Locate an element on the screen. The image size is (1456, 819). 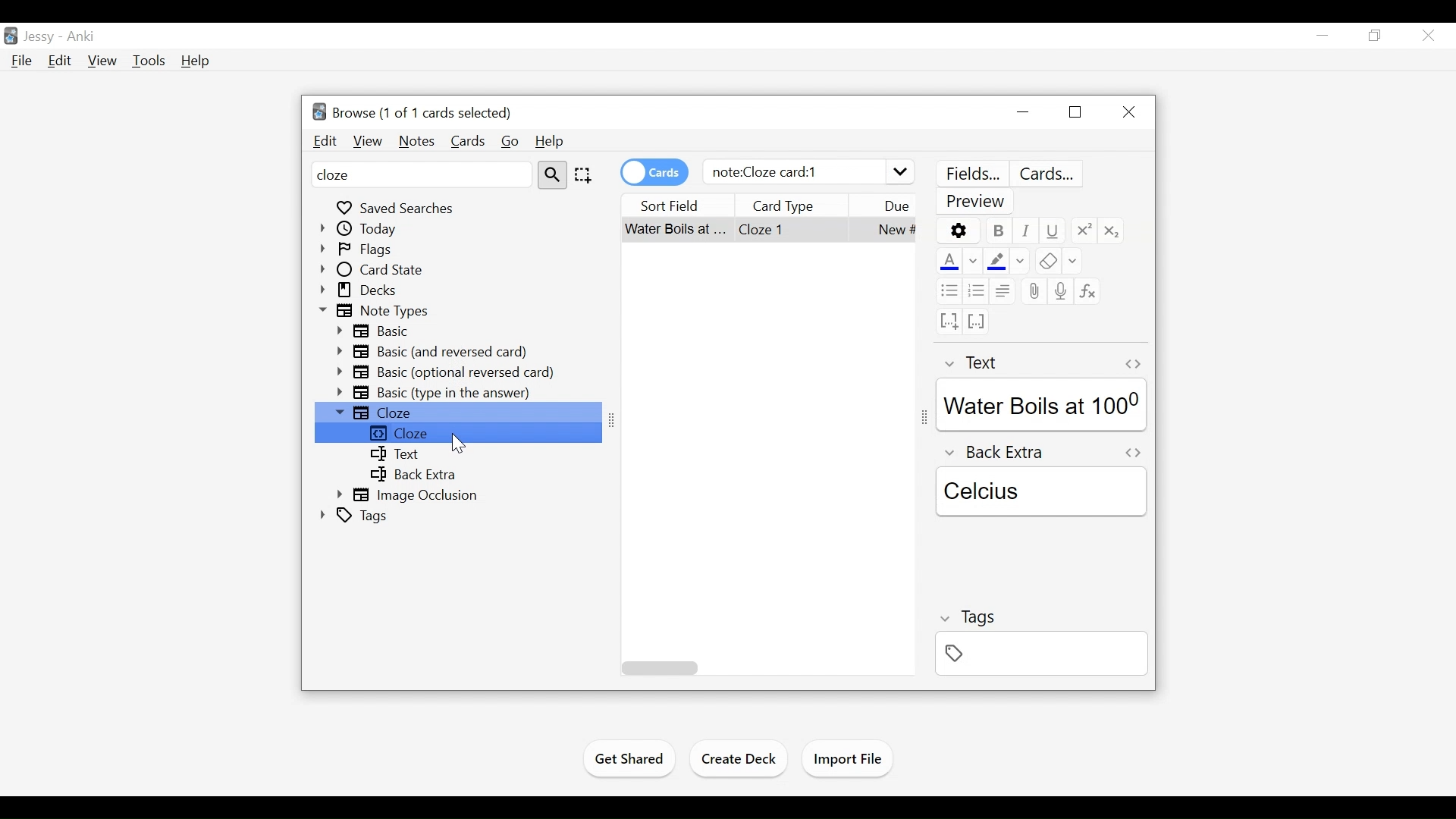
note:Cloze card:1 is located at coordinates (808, 173).